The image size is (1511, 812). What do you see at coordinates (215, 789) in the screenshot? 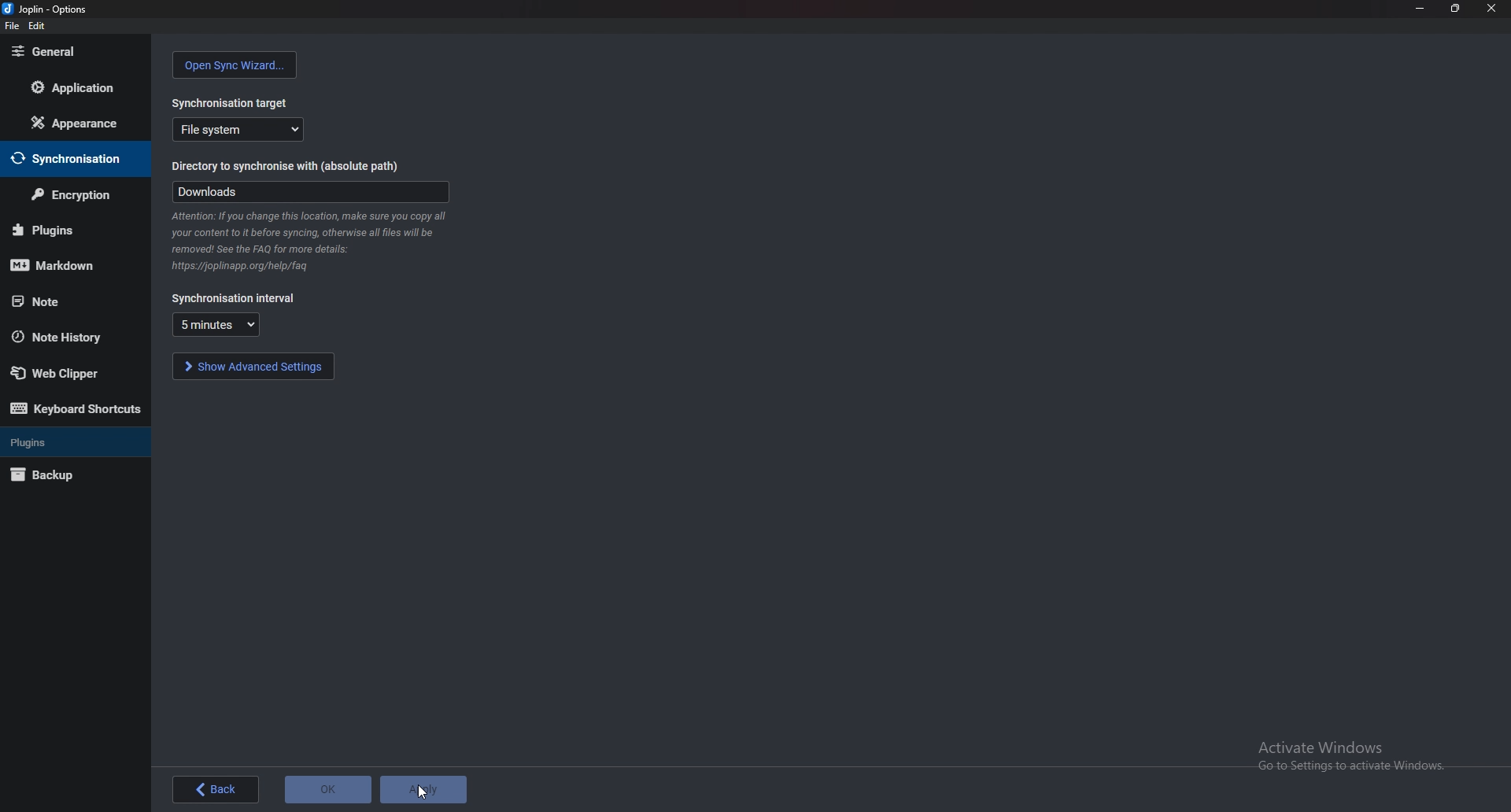
I see `back` at bounding box center [215, 789].